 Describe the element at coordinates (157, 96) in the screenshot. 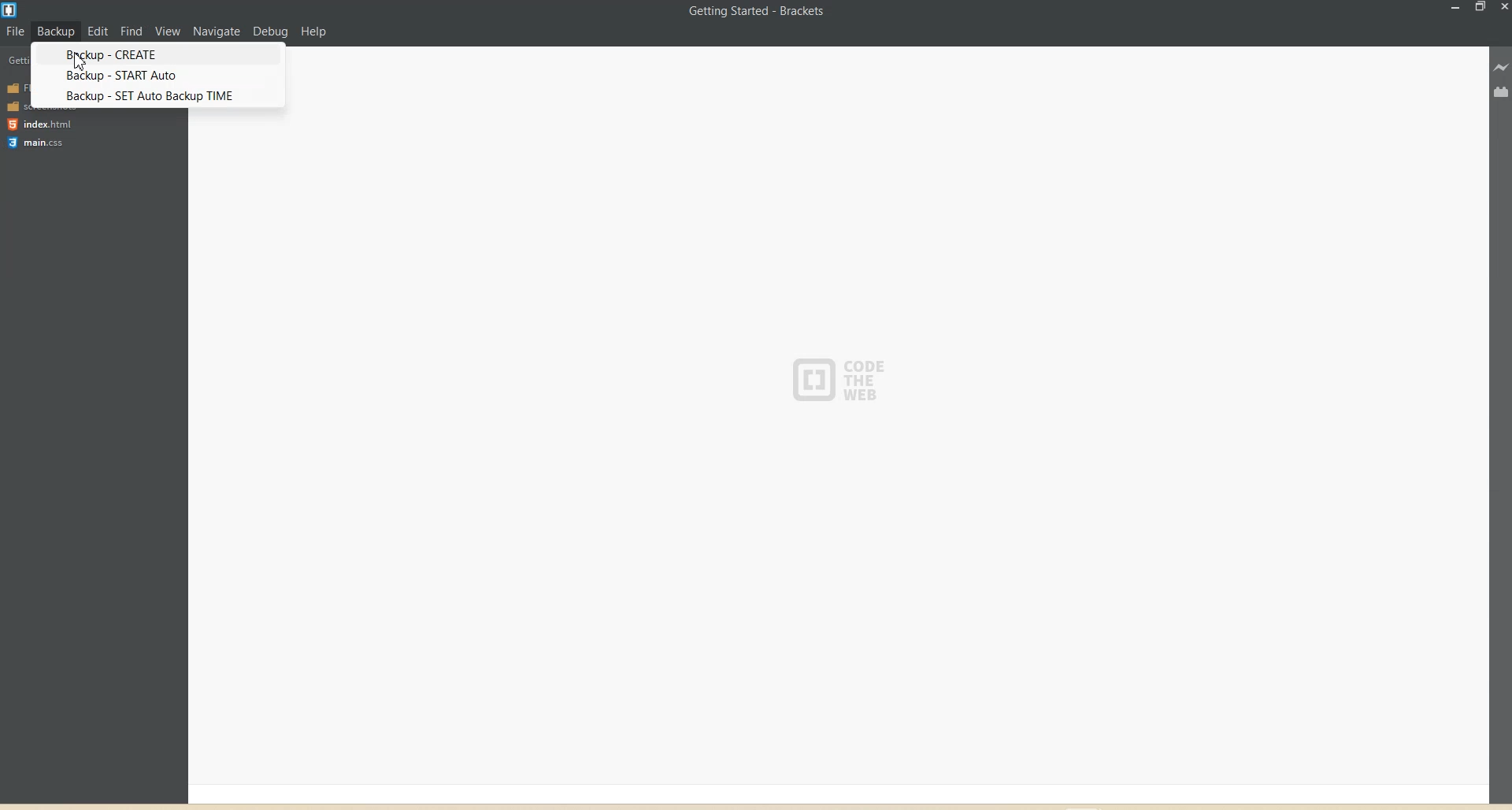

I see `BACKUP - SET auto Backup TIME` at that location.